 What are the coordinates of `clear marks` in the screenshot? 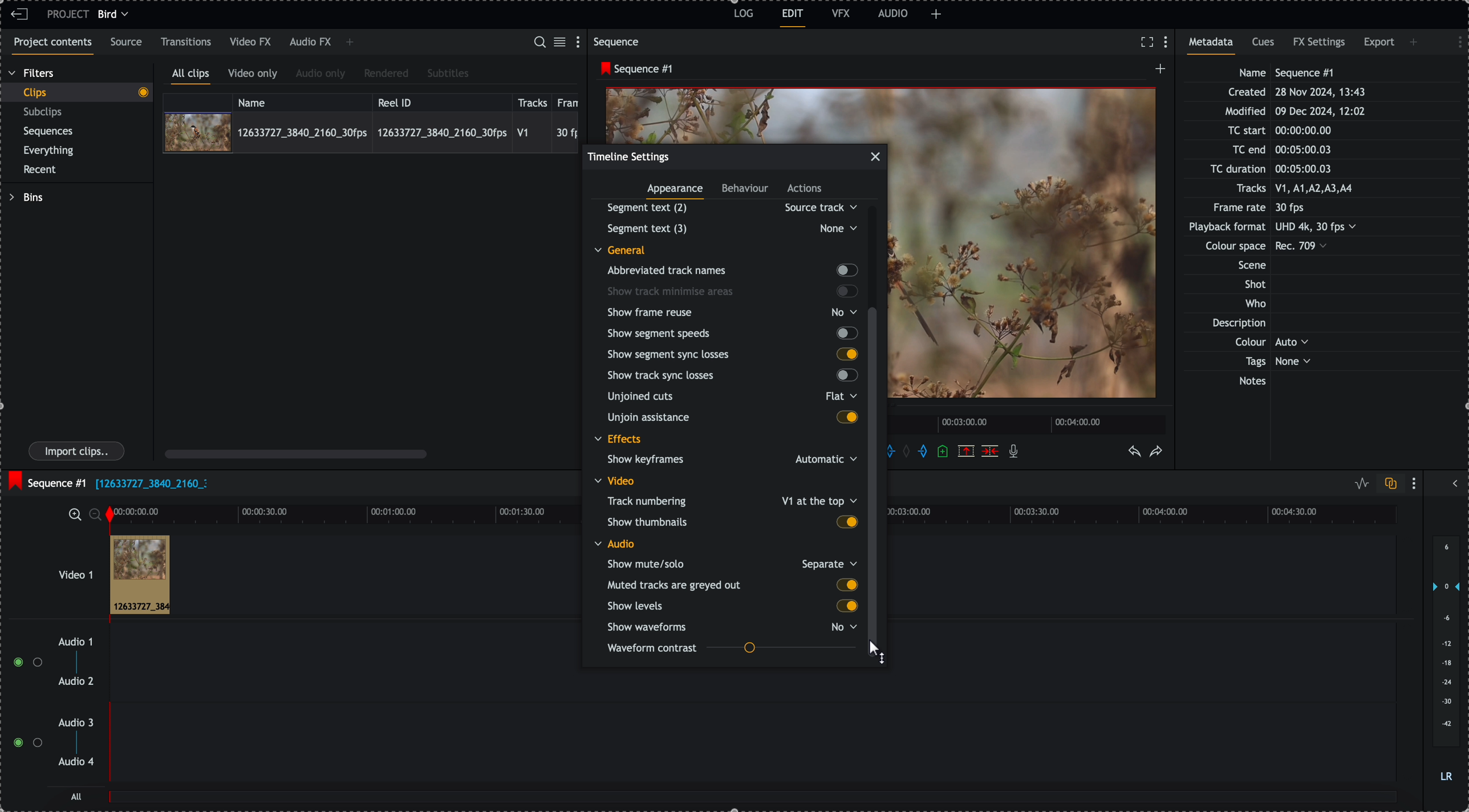 It's located at (910, 452).